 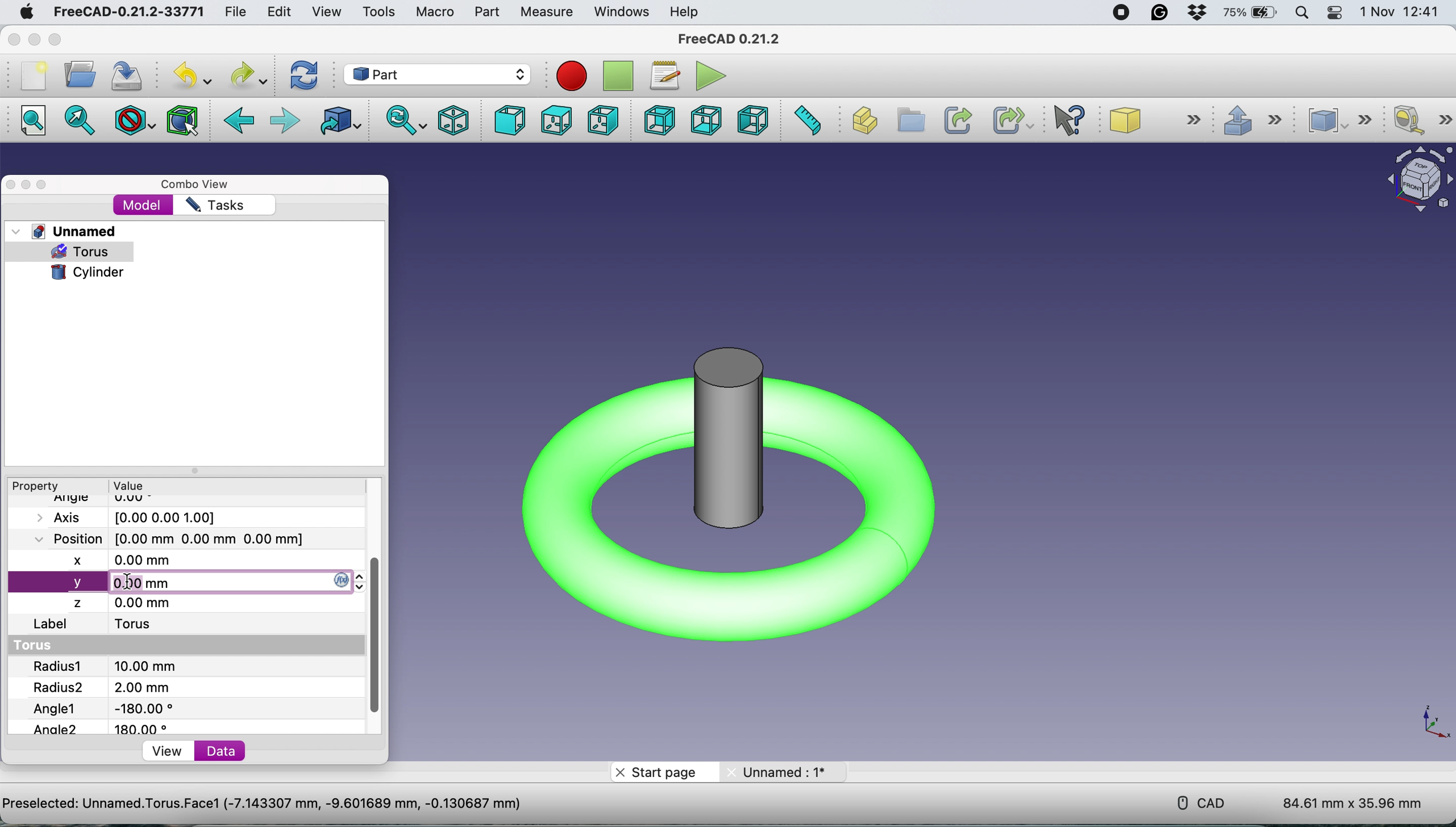 I want to click on go to selected object, so click(x=80, y=123).